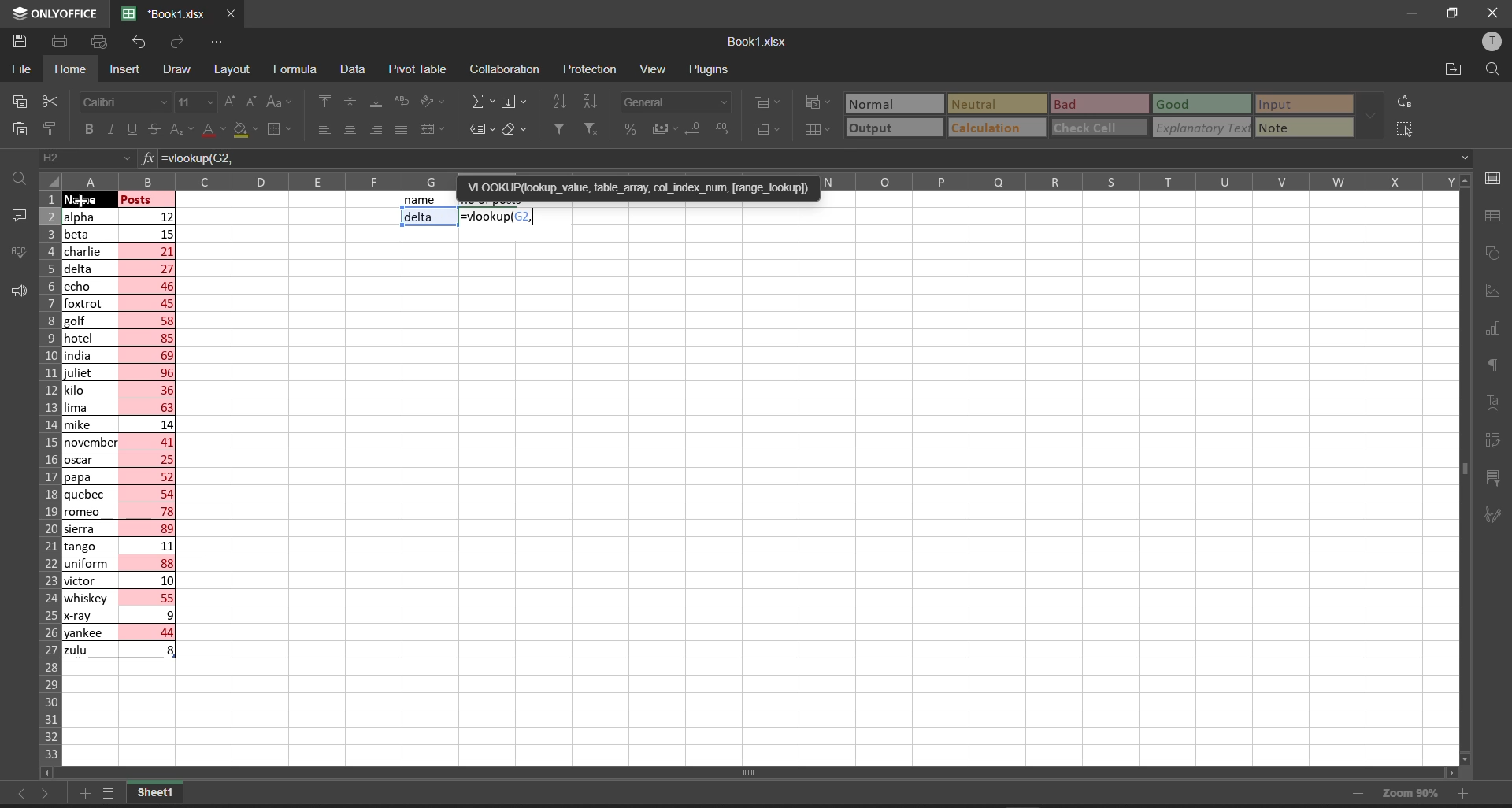 This screenshot has width=1512, height=808. What do you see at coordinates (15, 252) in the screenshot?
I see `spell checking` at bounding box center [15, 252].